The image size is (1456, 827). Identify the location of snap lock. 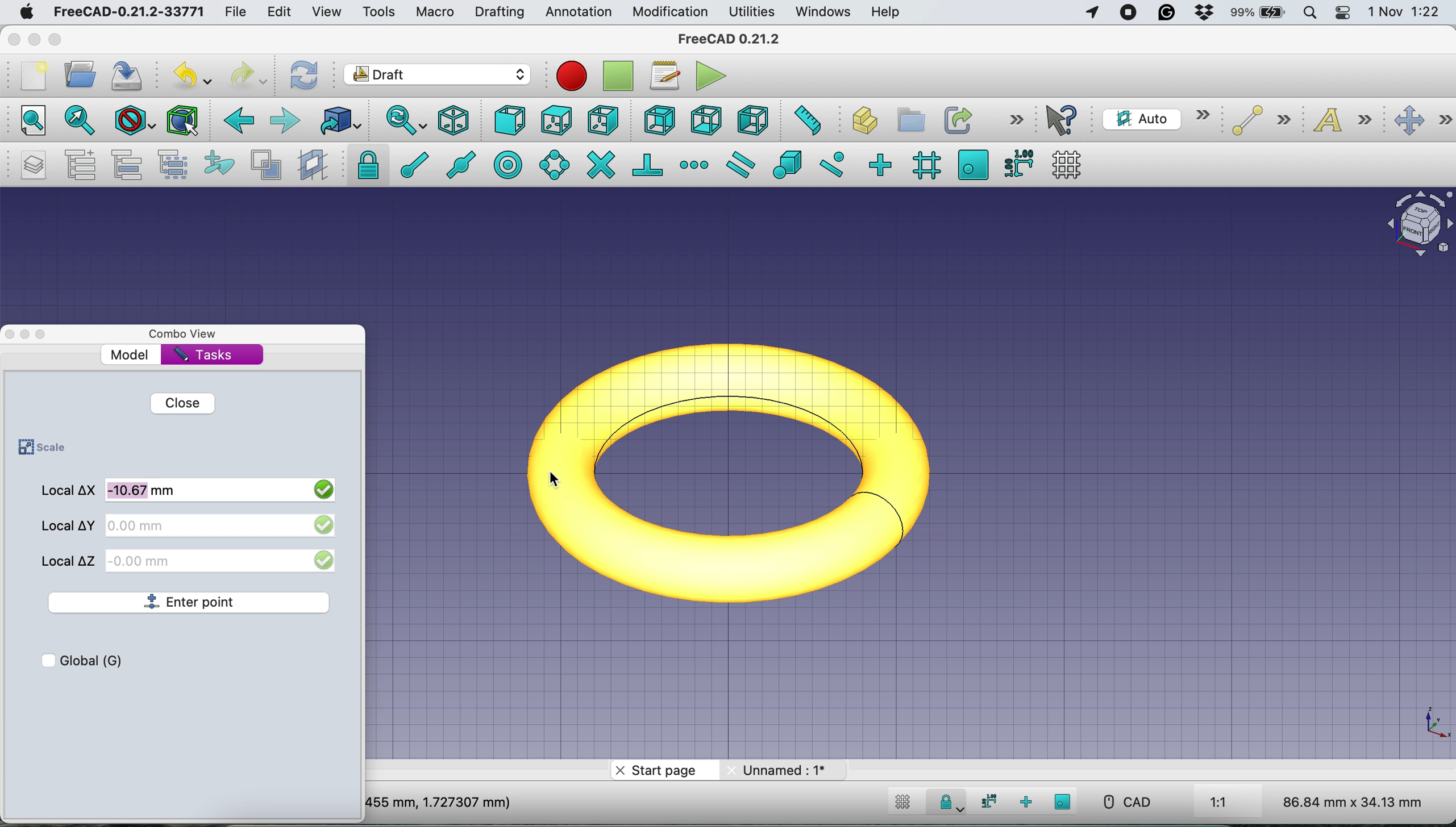
(363, 165).